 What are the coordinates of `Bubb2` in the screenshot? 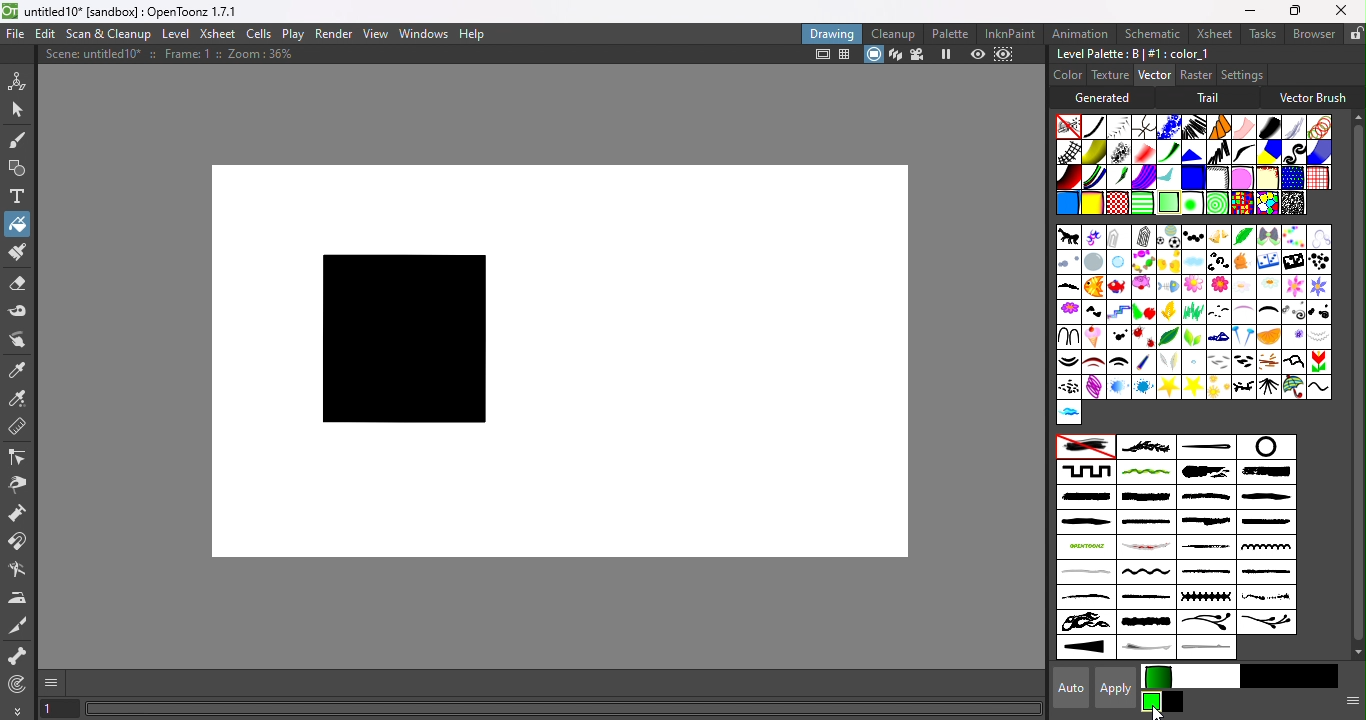 It's located at (1119, 262).